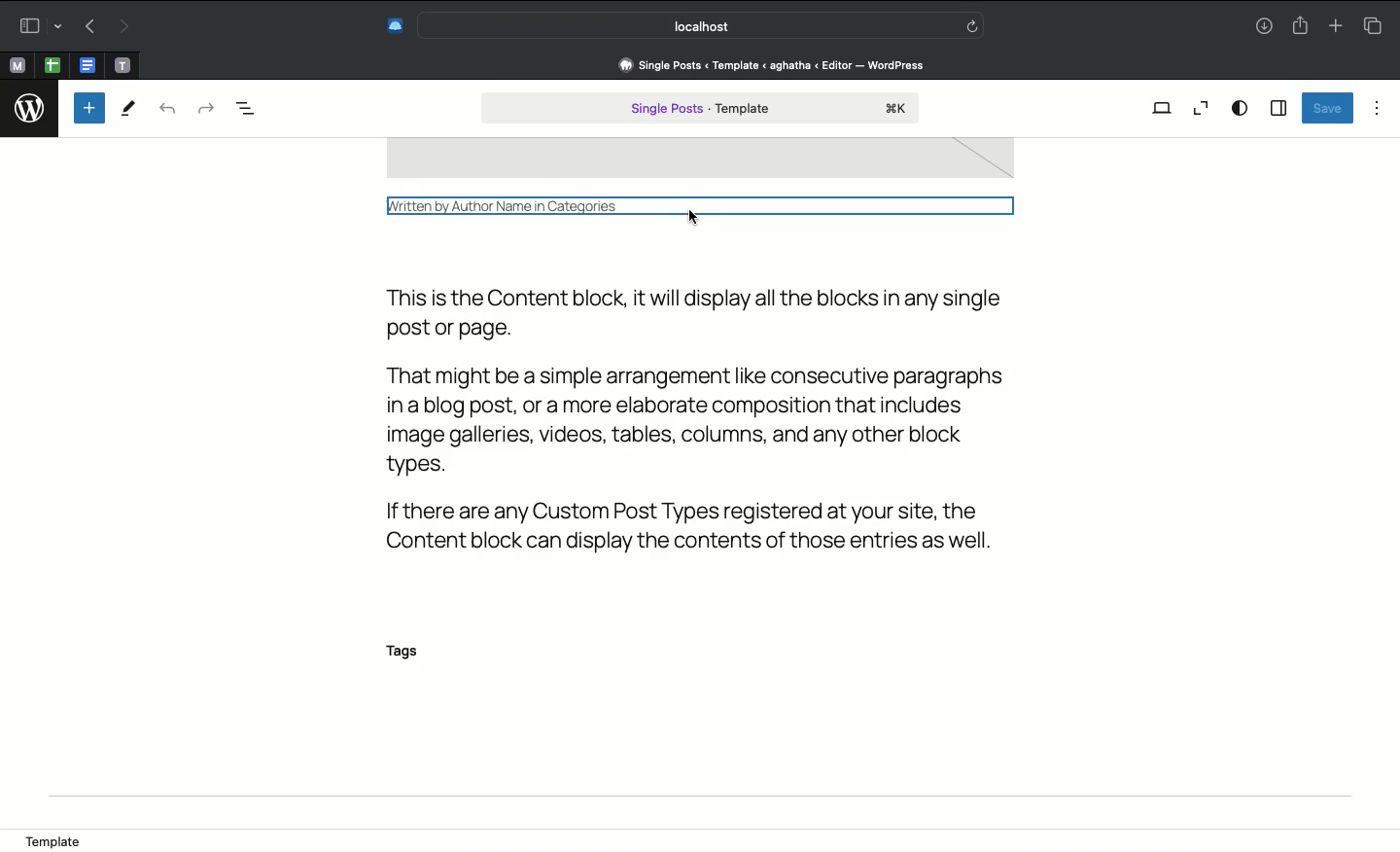  Describe the element at coordinates (125, 27) in the screenshot. I see `Forward` at that location.